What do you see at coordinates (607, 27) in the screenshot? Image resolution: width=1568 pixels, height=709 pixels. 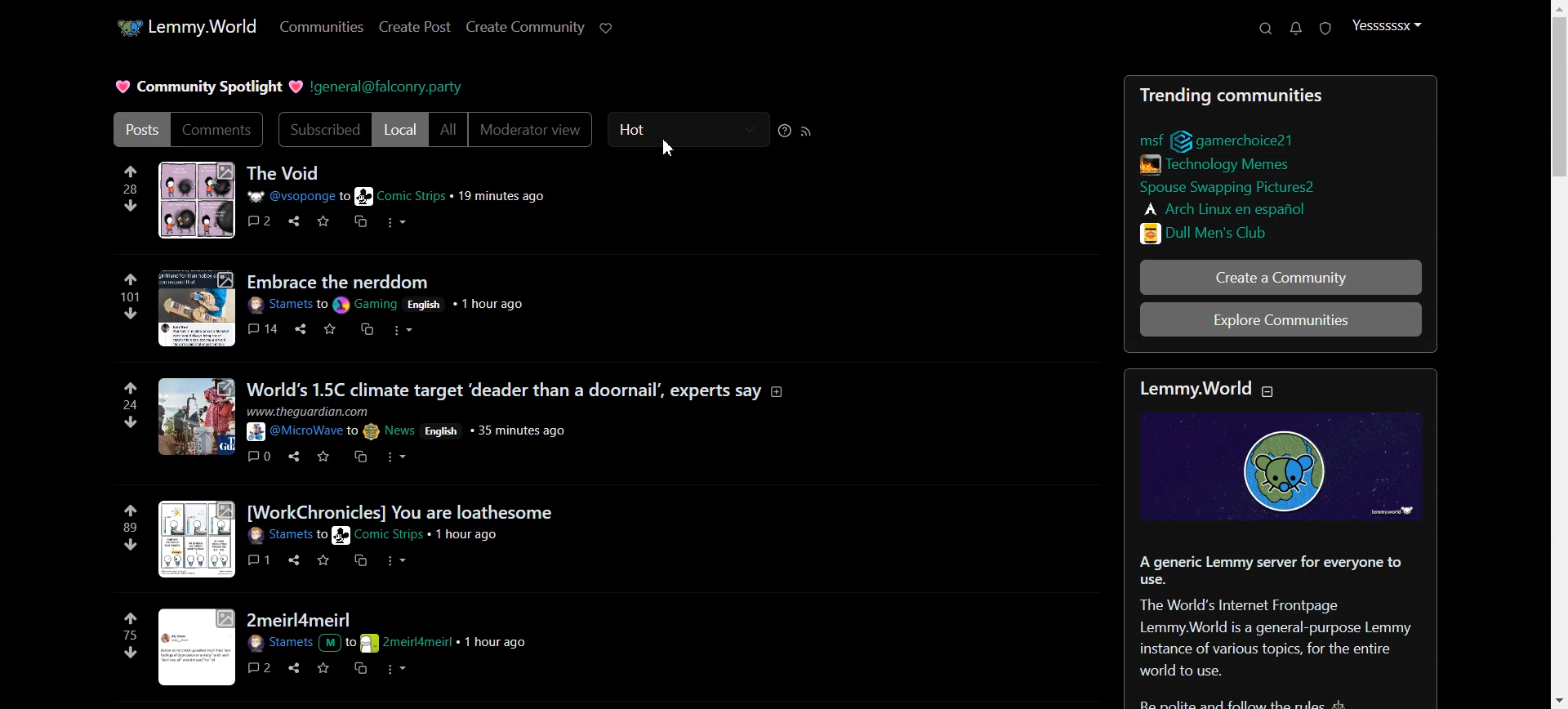 I see `Support Lemmy` at bounding box center [607, 27].